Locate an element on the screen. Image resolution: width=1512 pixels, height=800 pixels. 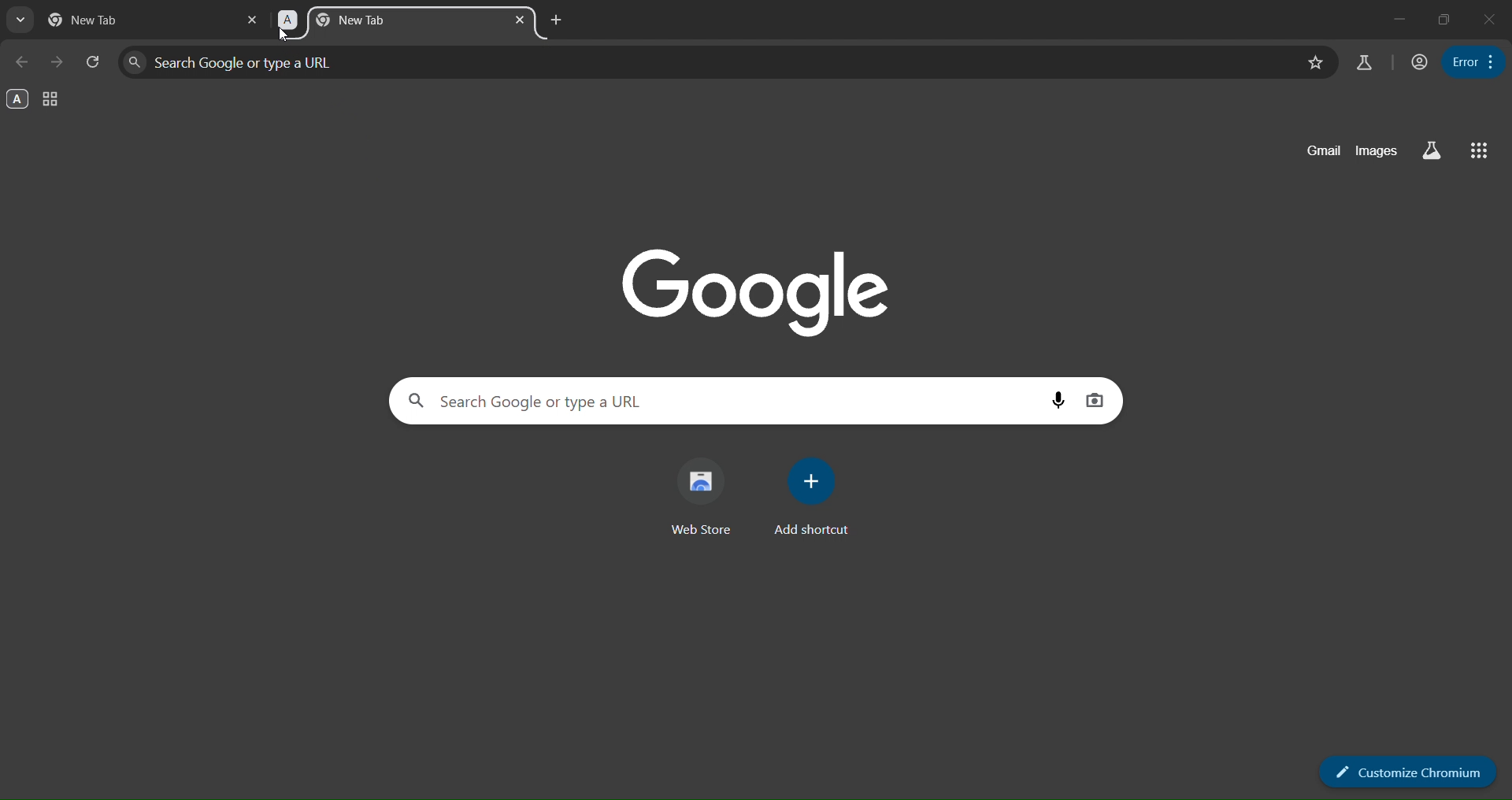
search google or type a URL is located at coordinates (705, 62).